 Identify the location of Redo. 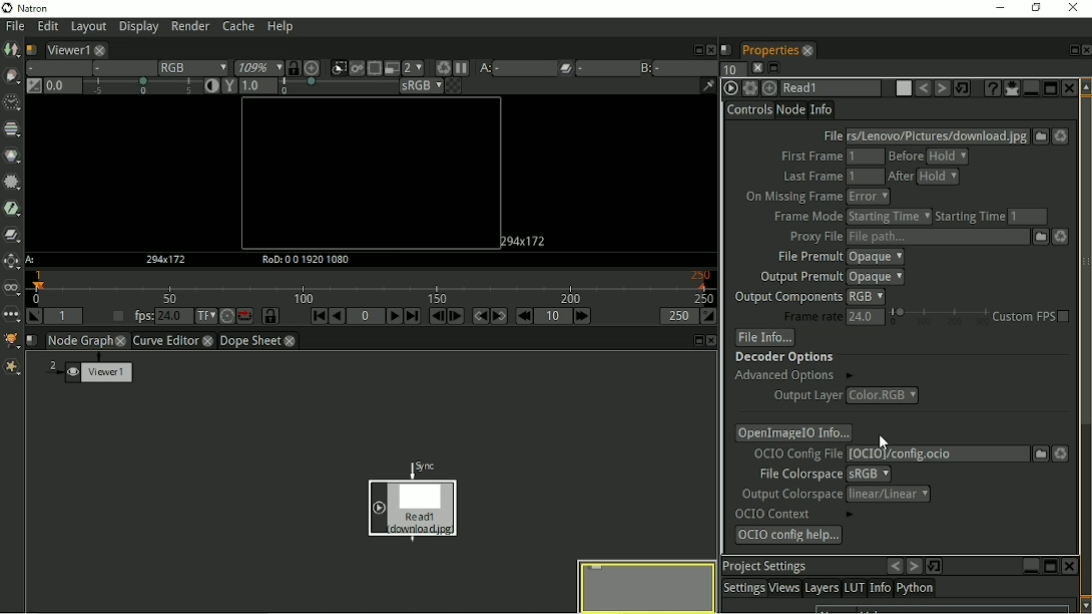
(941, 88).